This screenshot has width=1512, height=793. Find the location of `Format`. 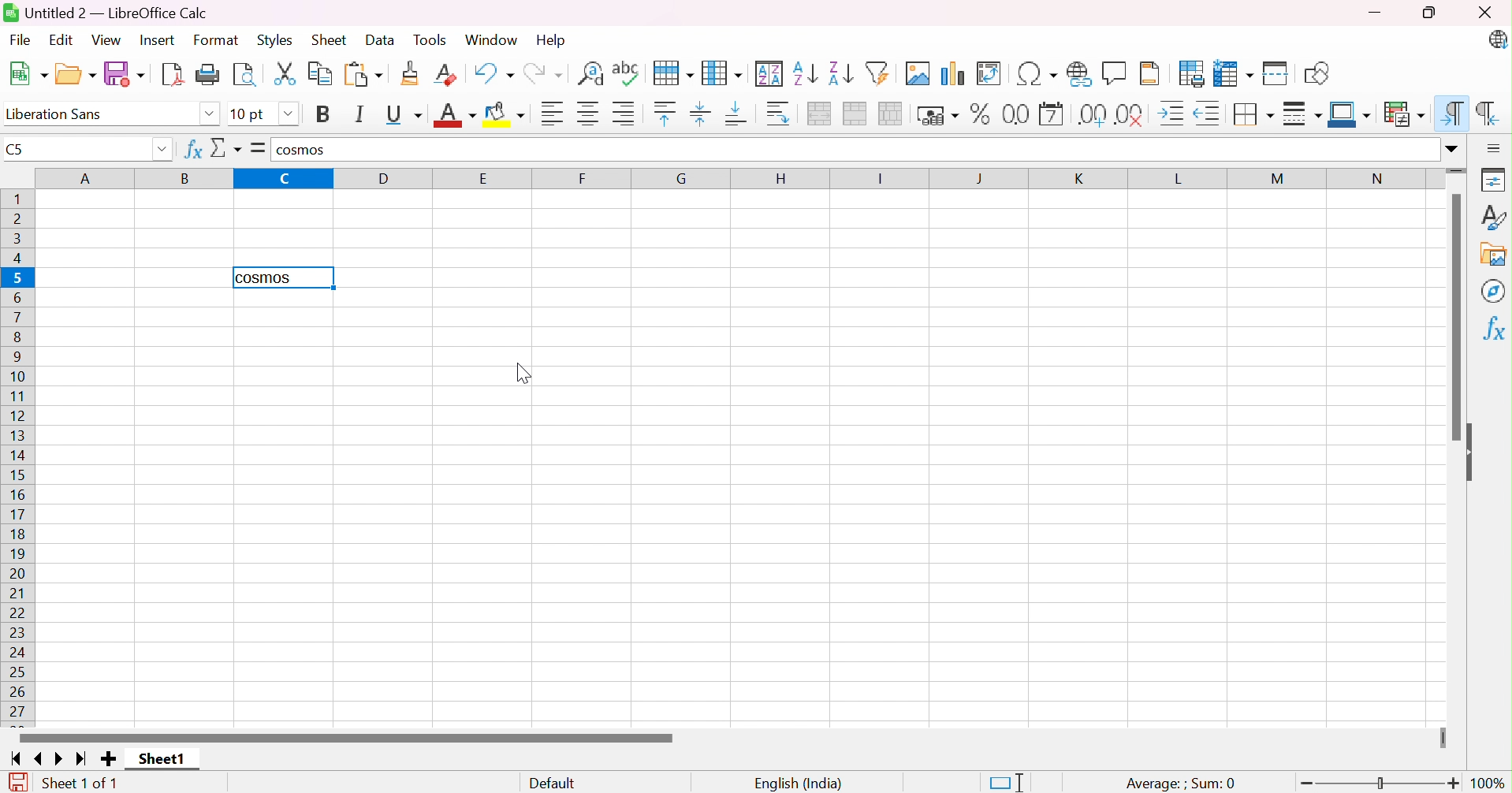

Format is located at coordinates (215, 40).